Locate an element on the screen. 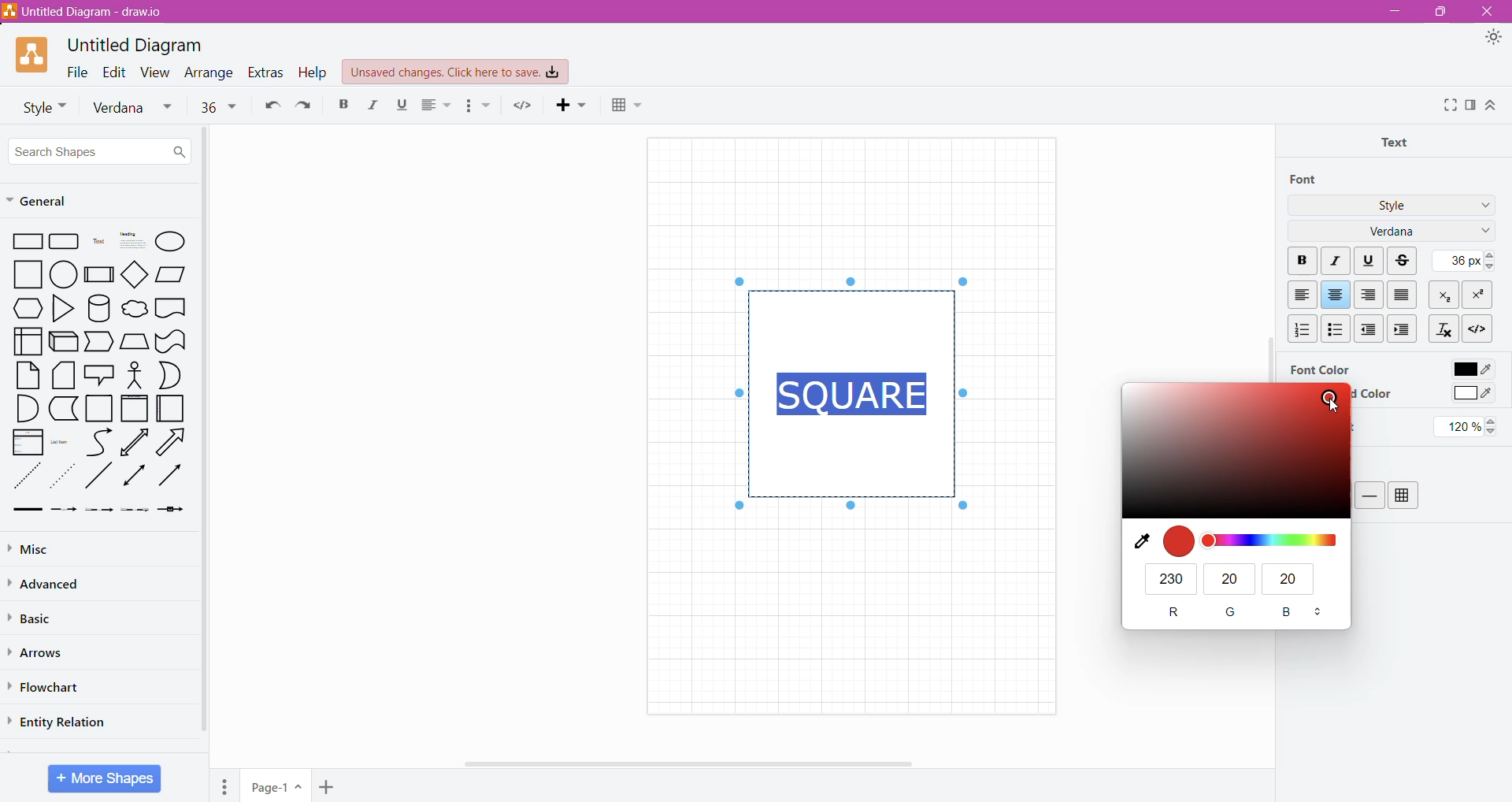  Help is located at coordinates (315, 72).